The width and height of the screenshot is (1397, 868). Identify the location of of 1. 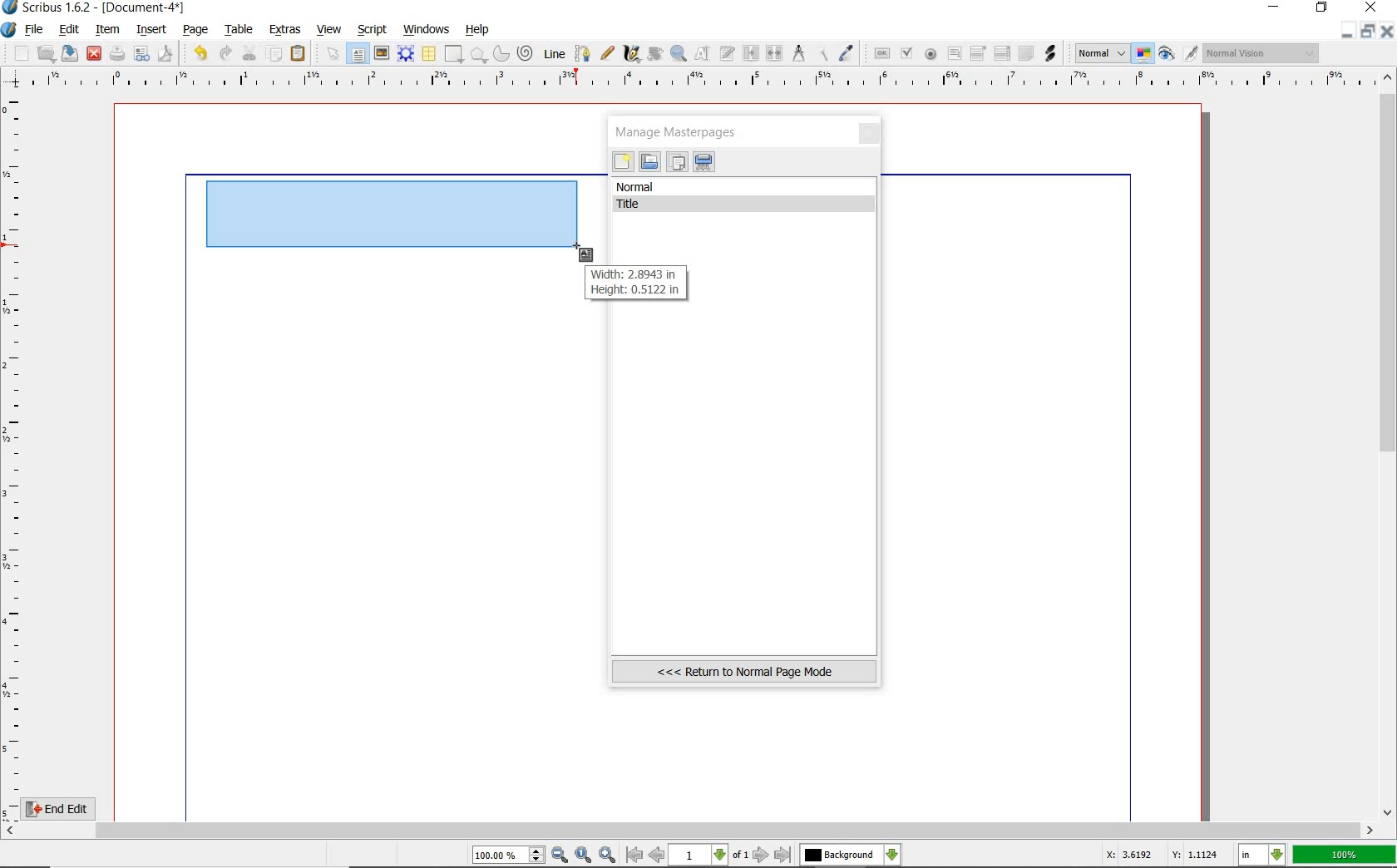
(740, 856).